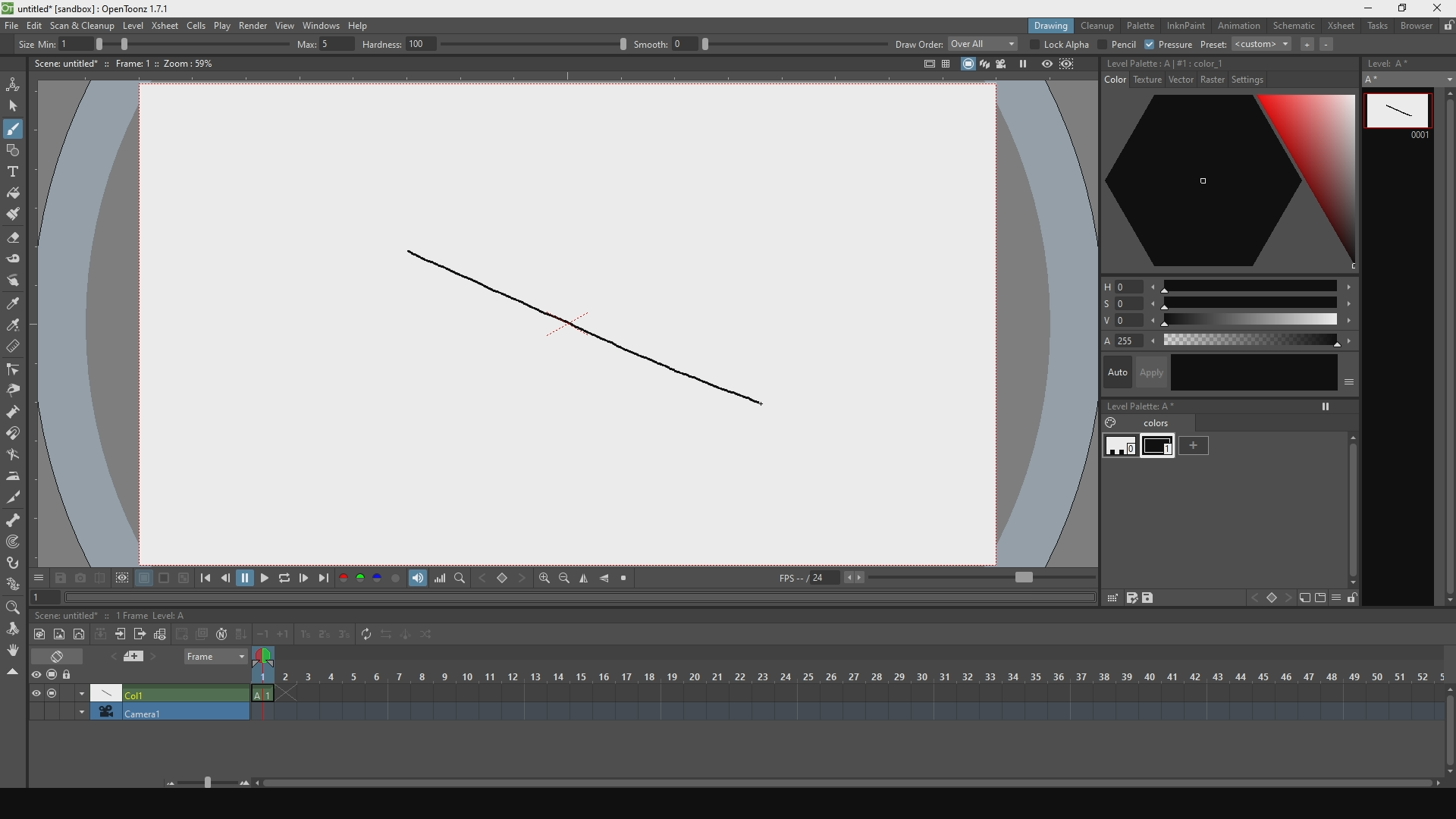 This screenshot has width=1456, height=819. What do you see at coordinates (1228, 375) in the screenshot?
I see `auto` at bounding box center [1228, 375].